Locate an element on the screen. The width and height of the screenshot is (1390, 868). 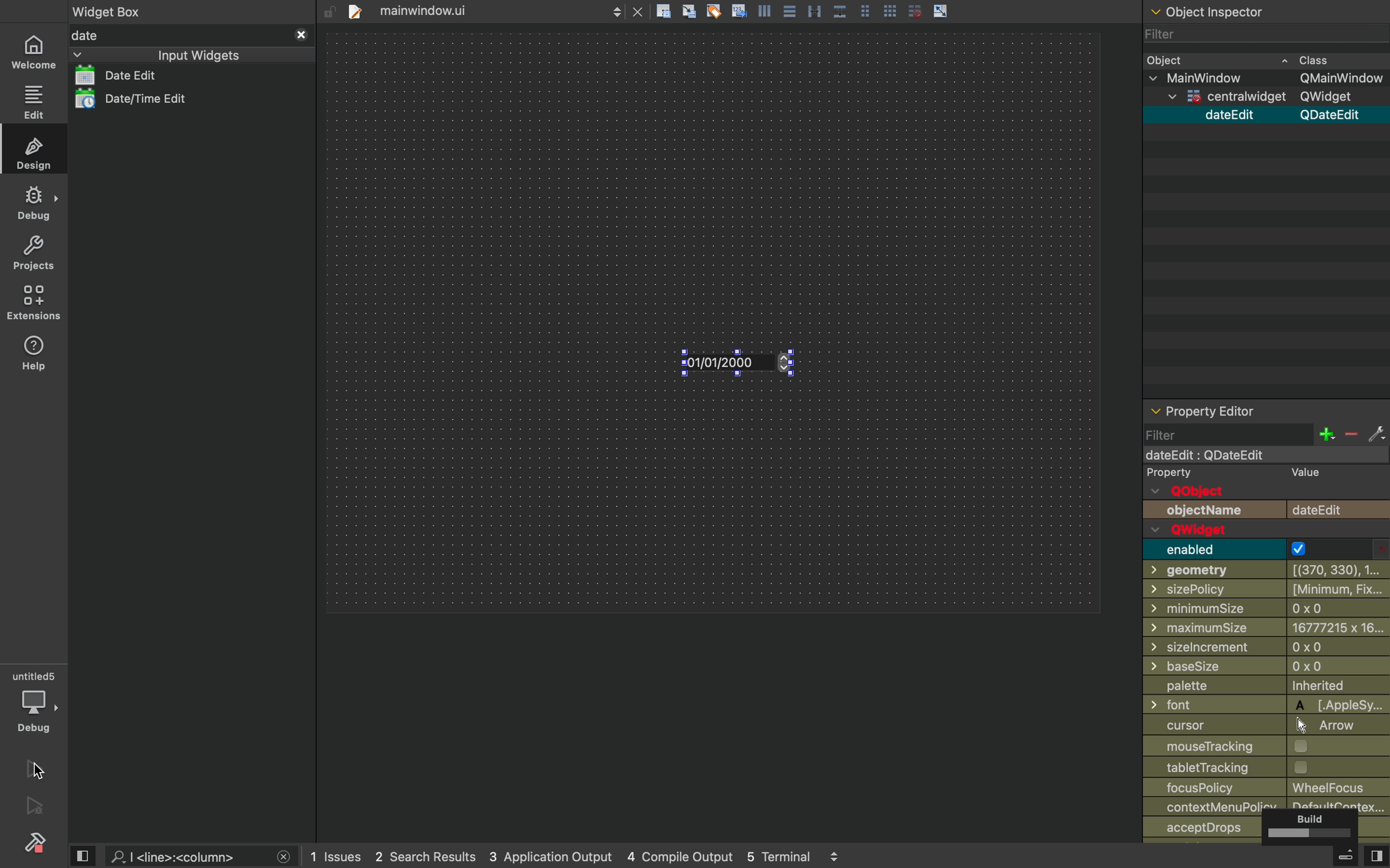
debug is located at coordinates (34, 702).